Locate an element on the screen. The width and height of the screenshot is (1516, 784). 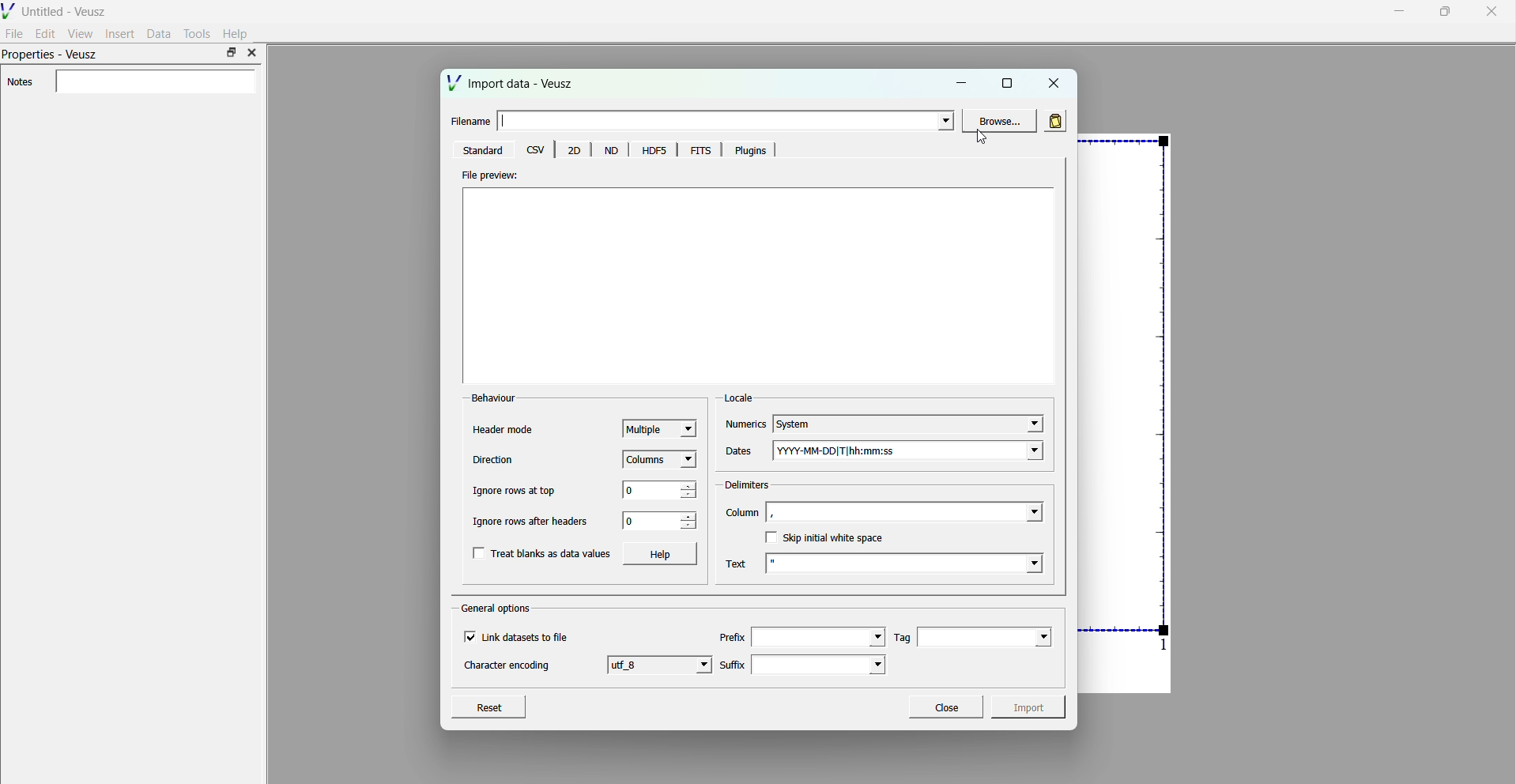
Tag field is located at coordinates (985, 637).